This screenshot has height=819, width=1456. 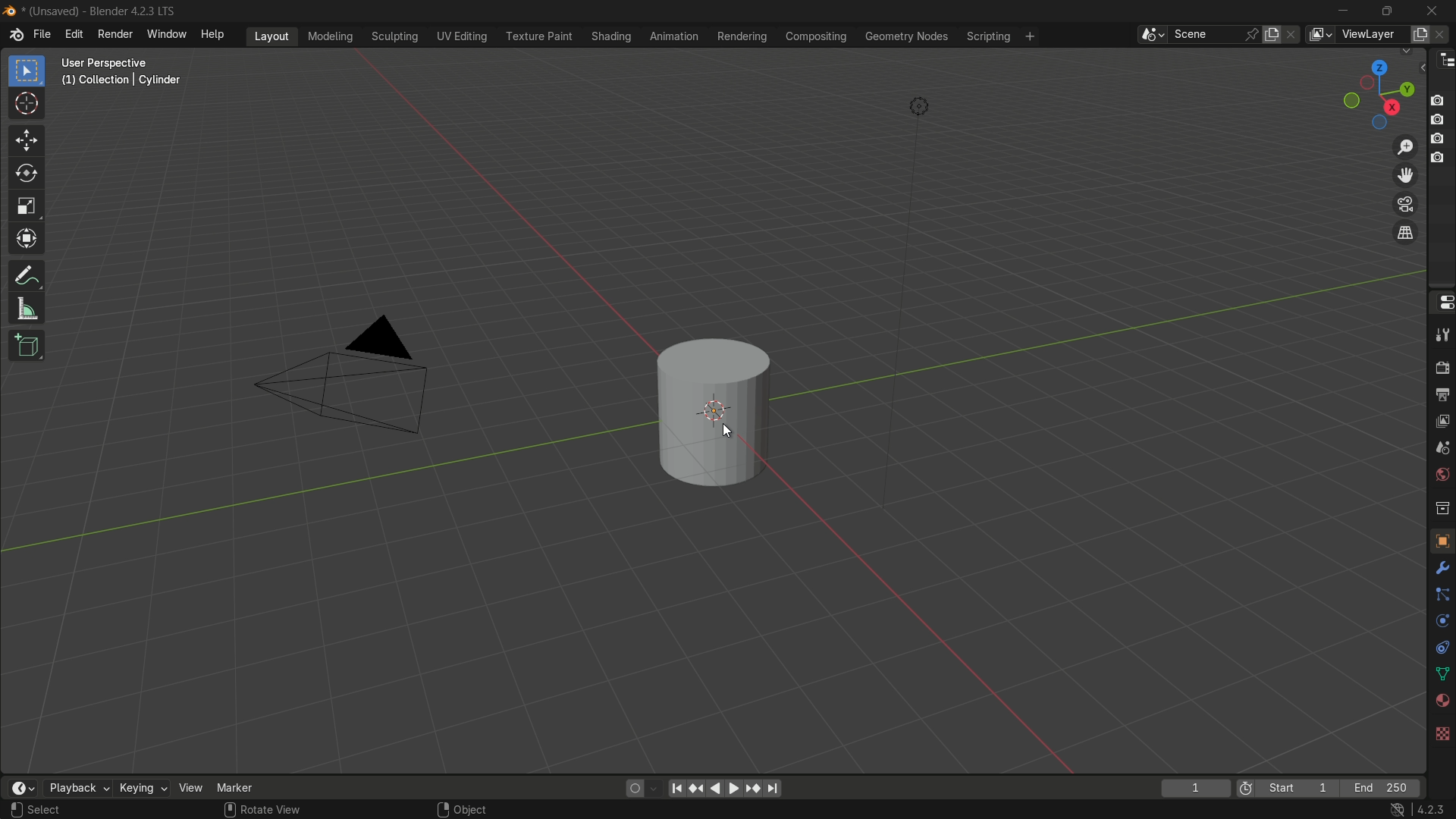 I want to click on remove view layer, so click(x=1443, y=35).